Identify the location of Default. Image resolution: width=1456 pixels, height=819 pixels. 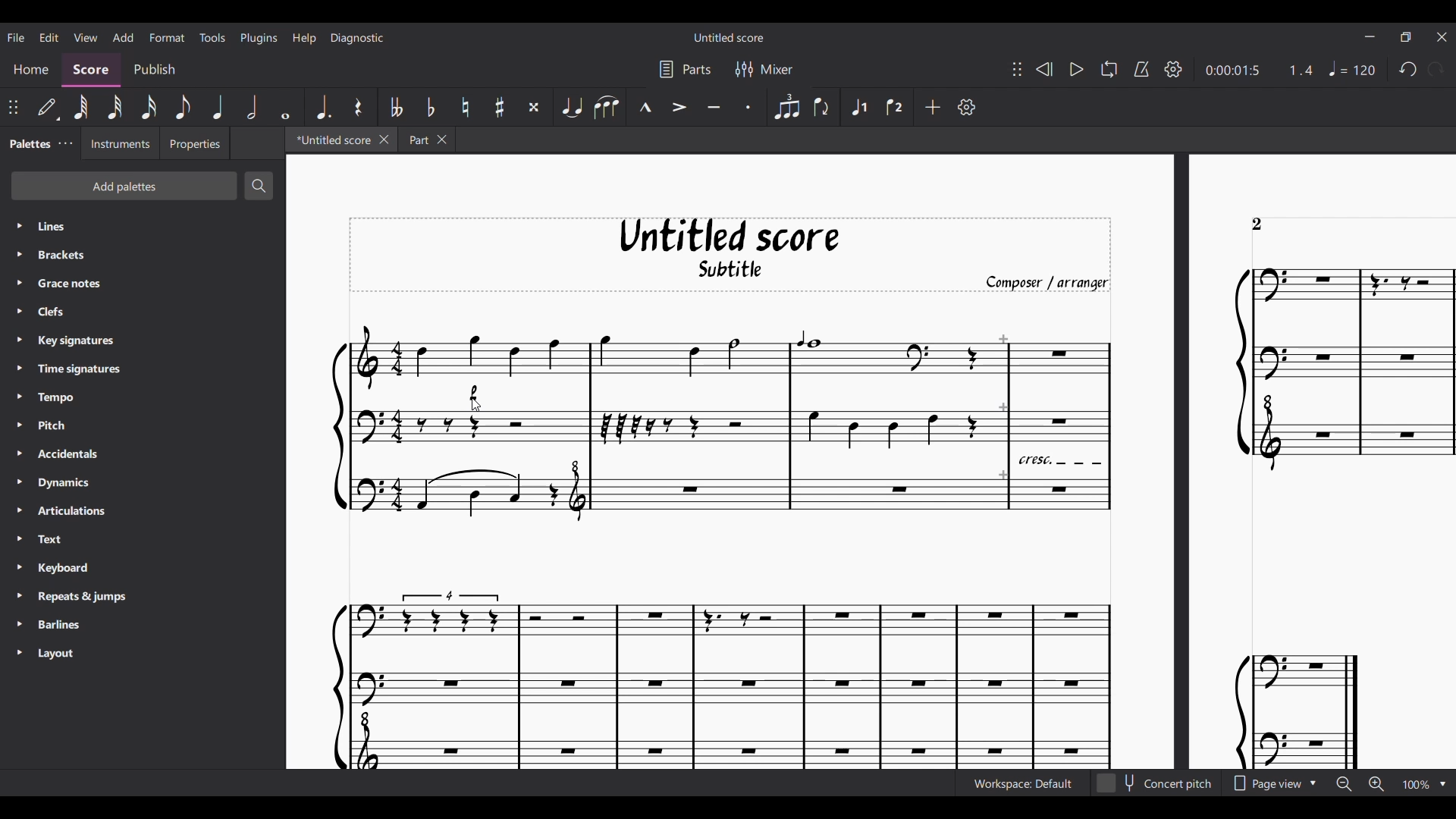
(48, 108).